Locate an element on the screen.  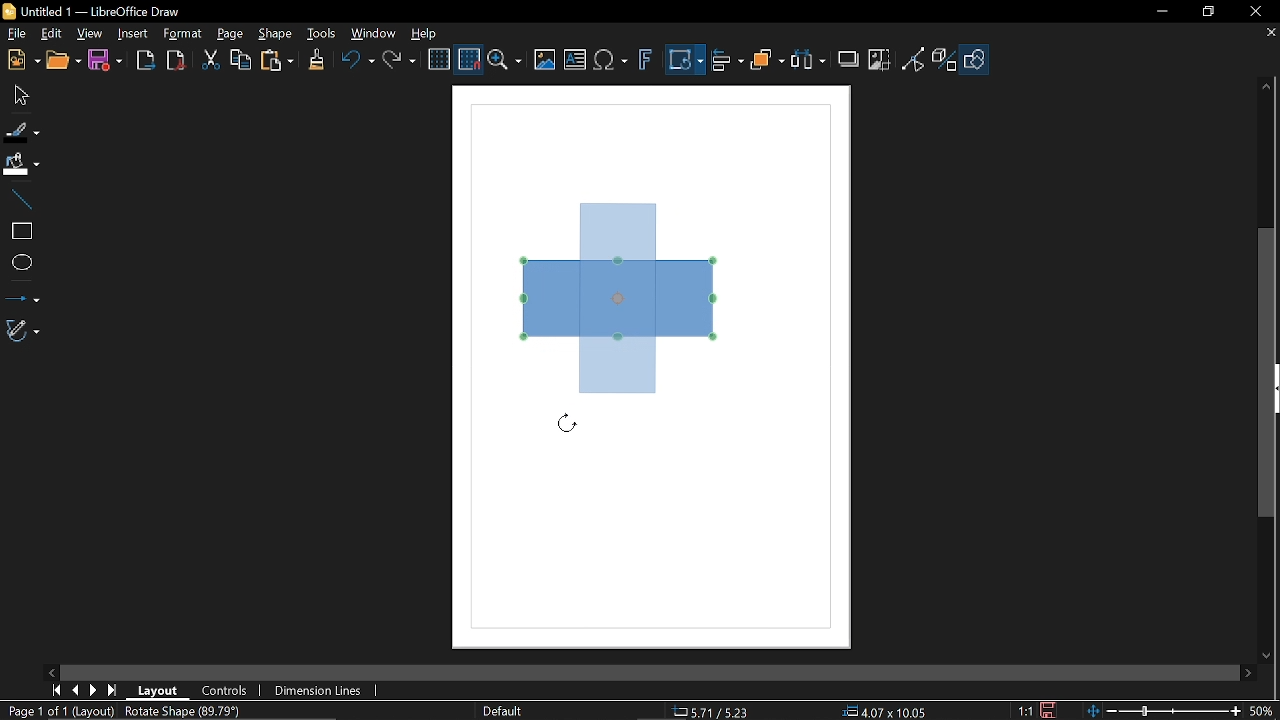
slide master name is located at coordinates (504, 710).